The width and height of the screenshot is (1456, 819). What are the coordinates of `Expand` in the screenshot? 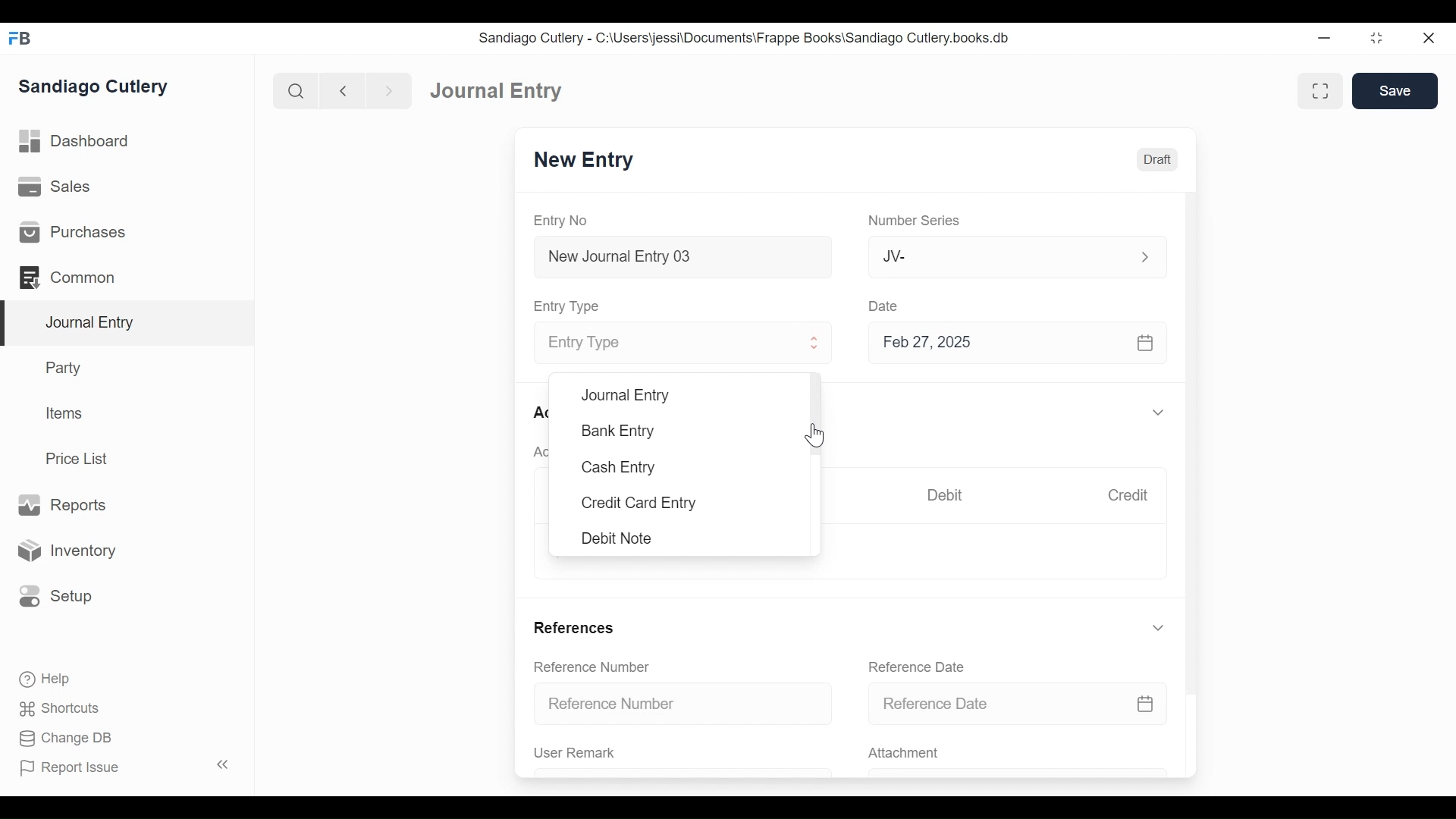 It's located at (1160, 628).